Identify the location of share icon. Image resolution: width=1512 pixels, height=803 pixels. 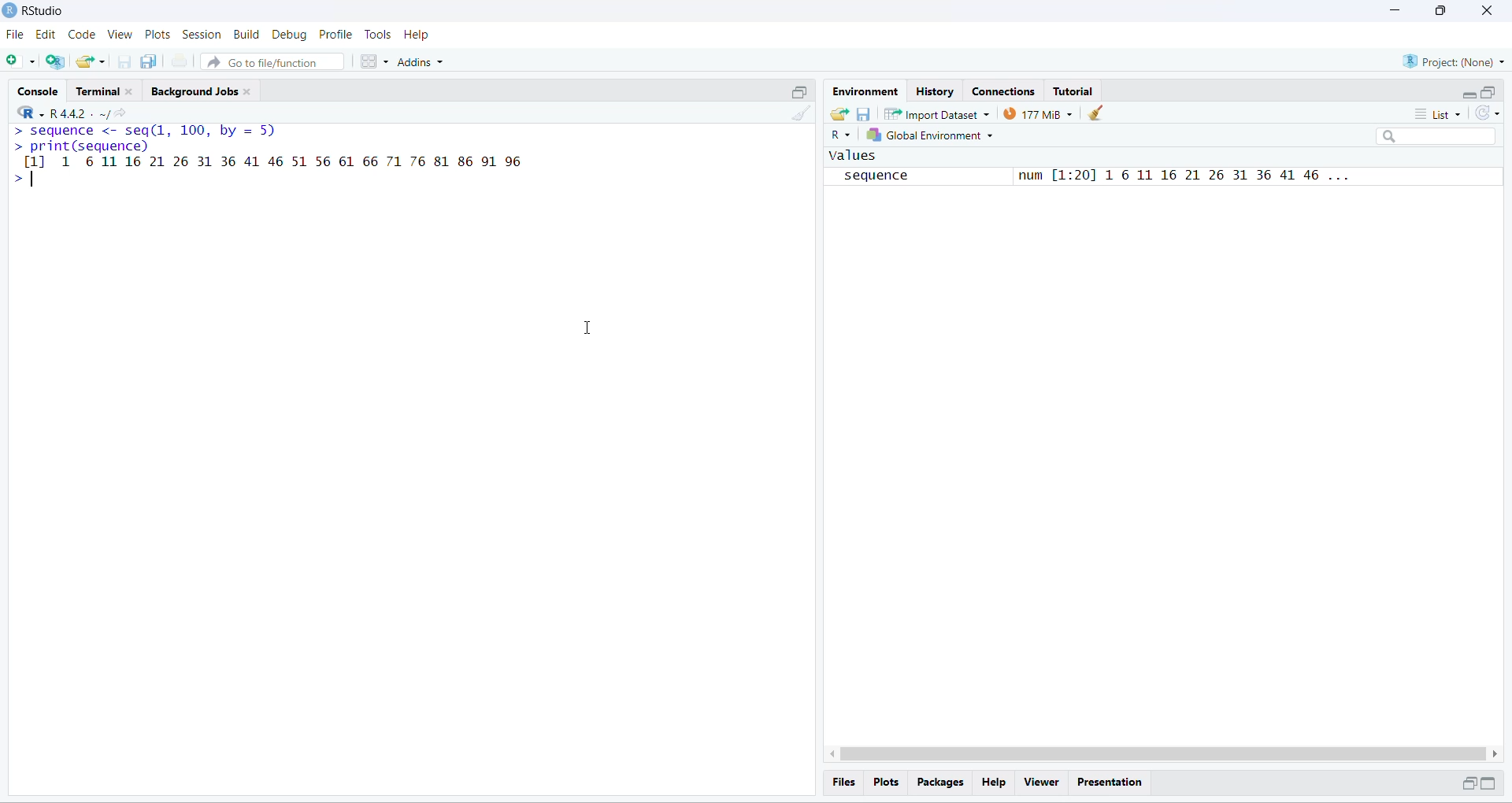
(122, 114).